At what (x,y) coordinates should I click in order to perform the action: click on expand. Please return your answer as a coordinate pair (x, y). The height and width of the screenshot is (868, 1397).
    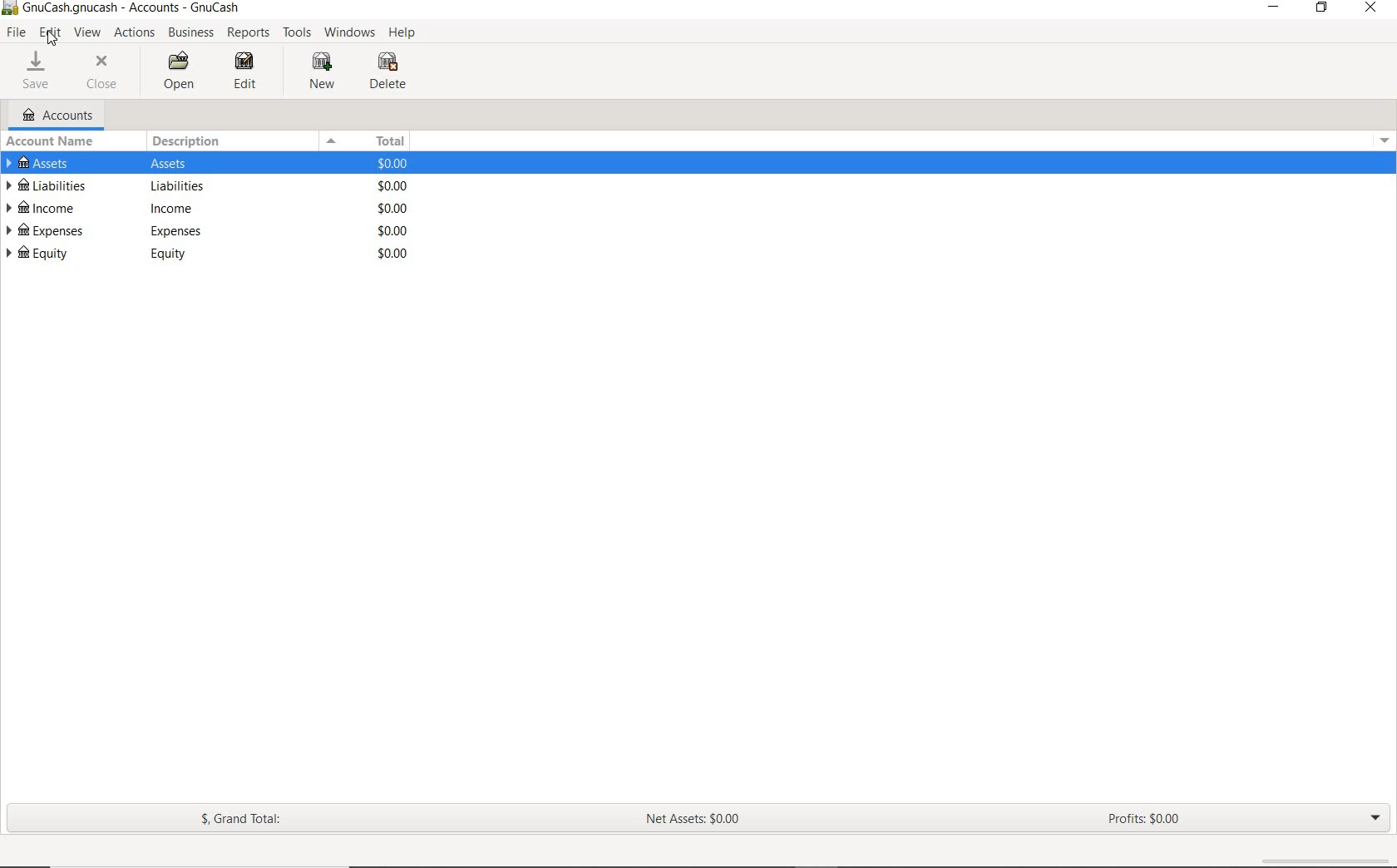
    Looking at the image, I should click on (1382, 138).